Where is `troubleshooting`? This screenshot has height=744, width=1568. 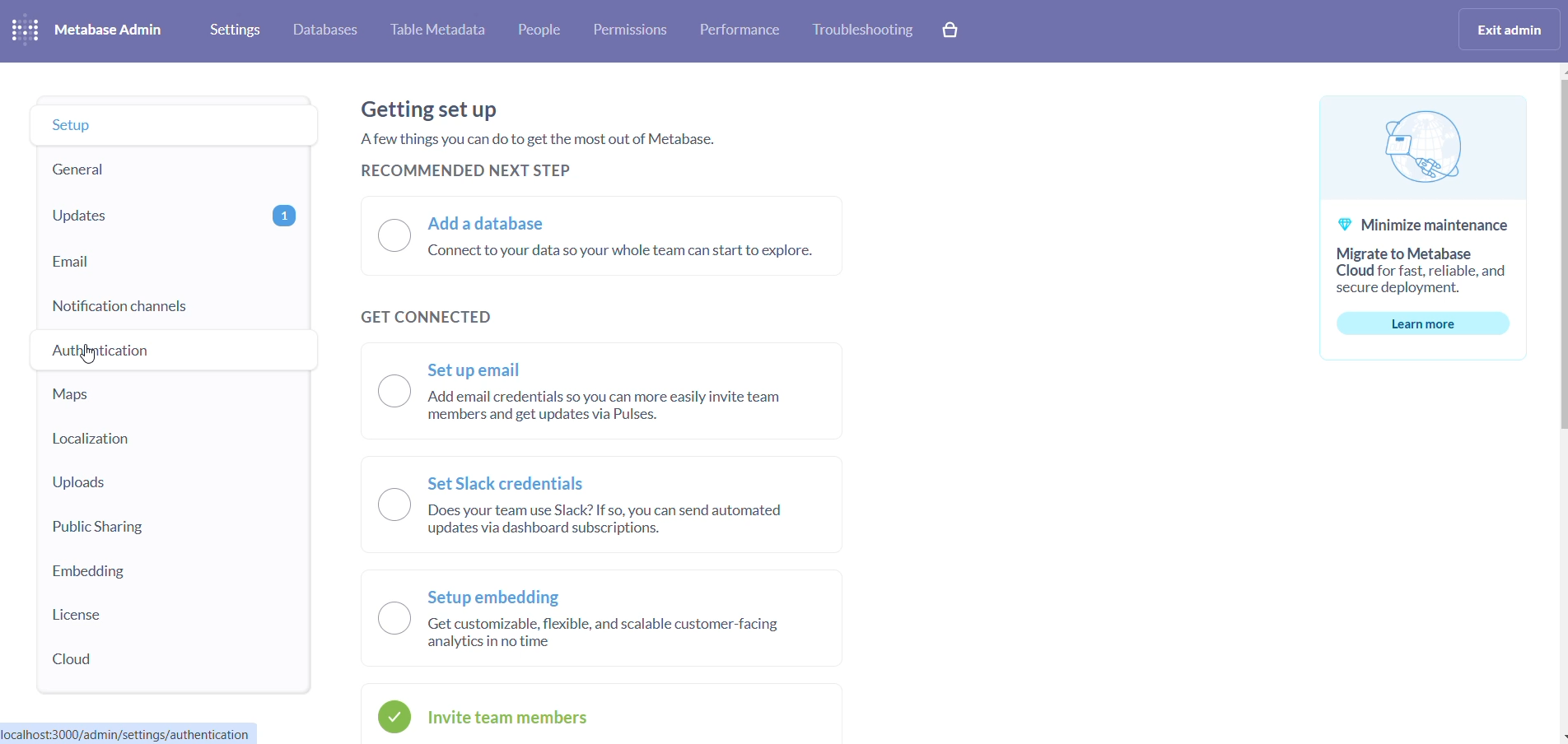 troubleshooting is located at coordinates (866, 30).